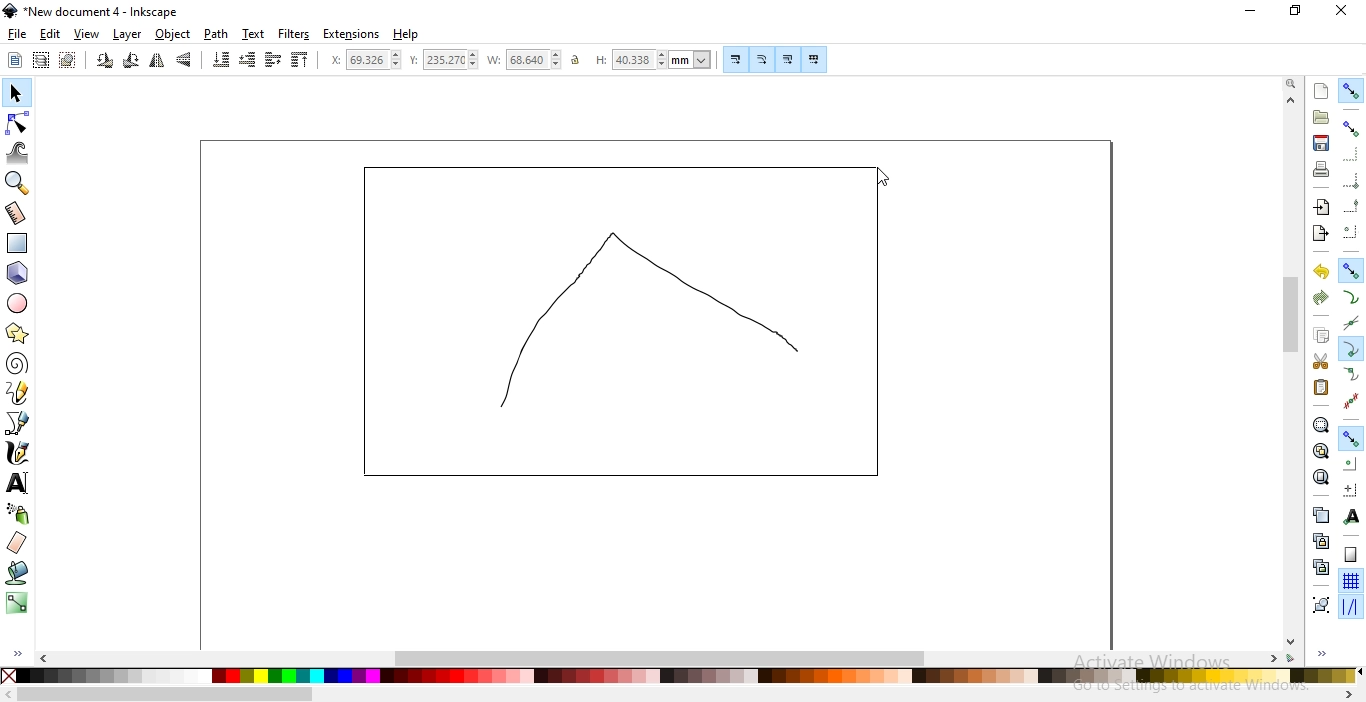 The width and height of the screenshot is (1366, 702). Describe the element at coordinates (16, 364) in the screenshot. I see `create spirals` at that location.